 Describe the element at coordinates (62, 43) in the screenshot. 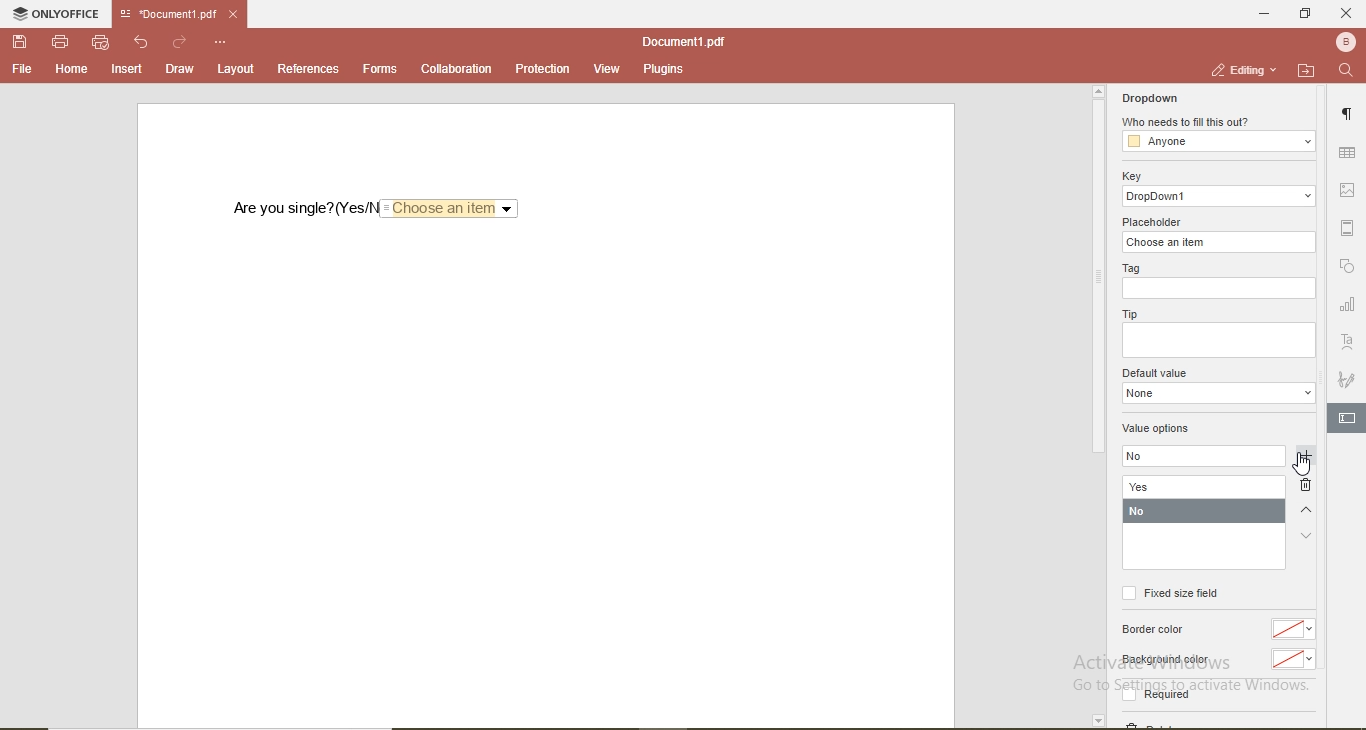

I see `print` at that location.